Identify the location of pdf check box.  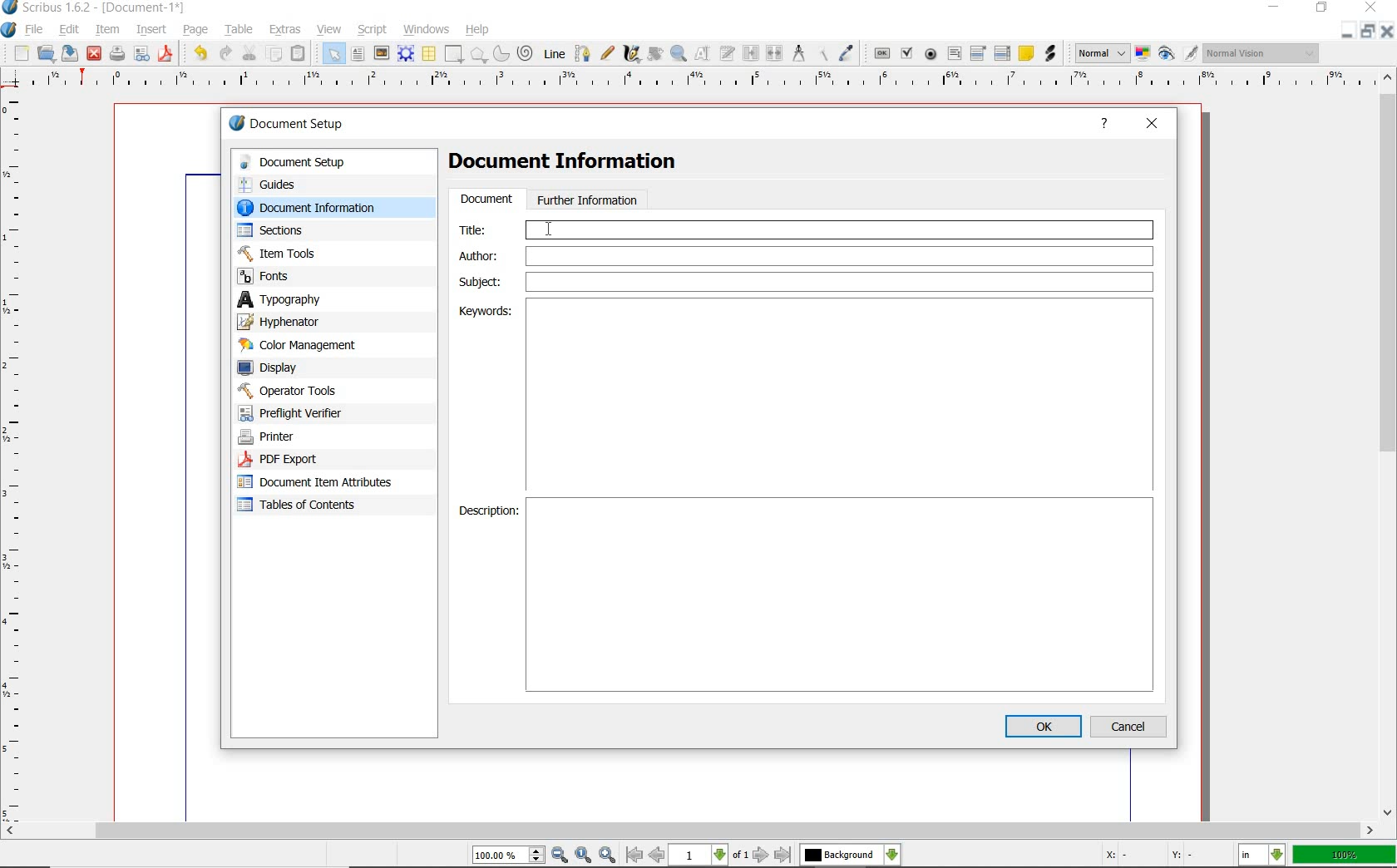
(908, 52).